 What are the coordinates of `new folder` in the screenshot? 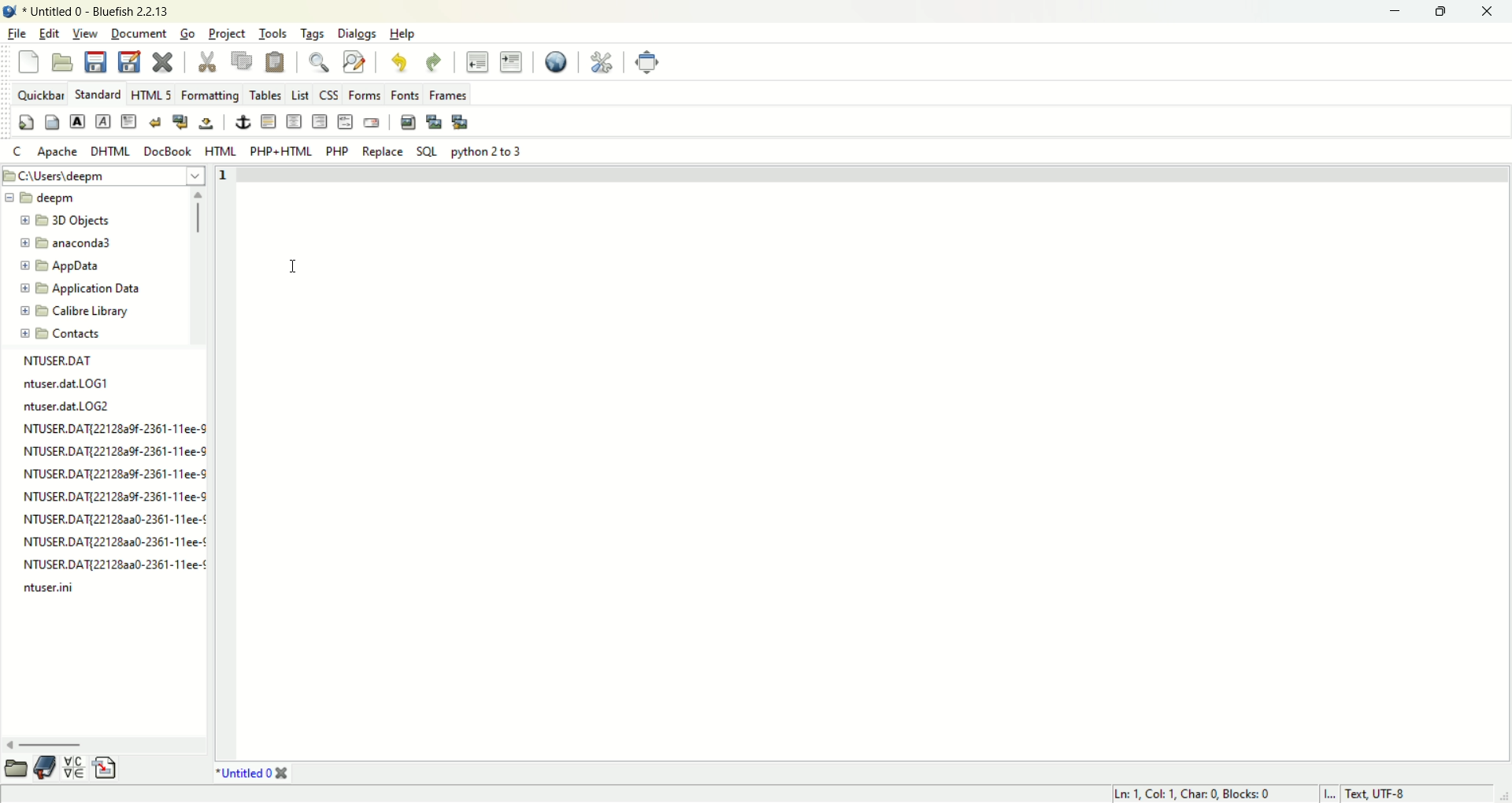 It's located at (69, 264).